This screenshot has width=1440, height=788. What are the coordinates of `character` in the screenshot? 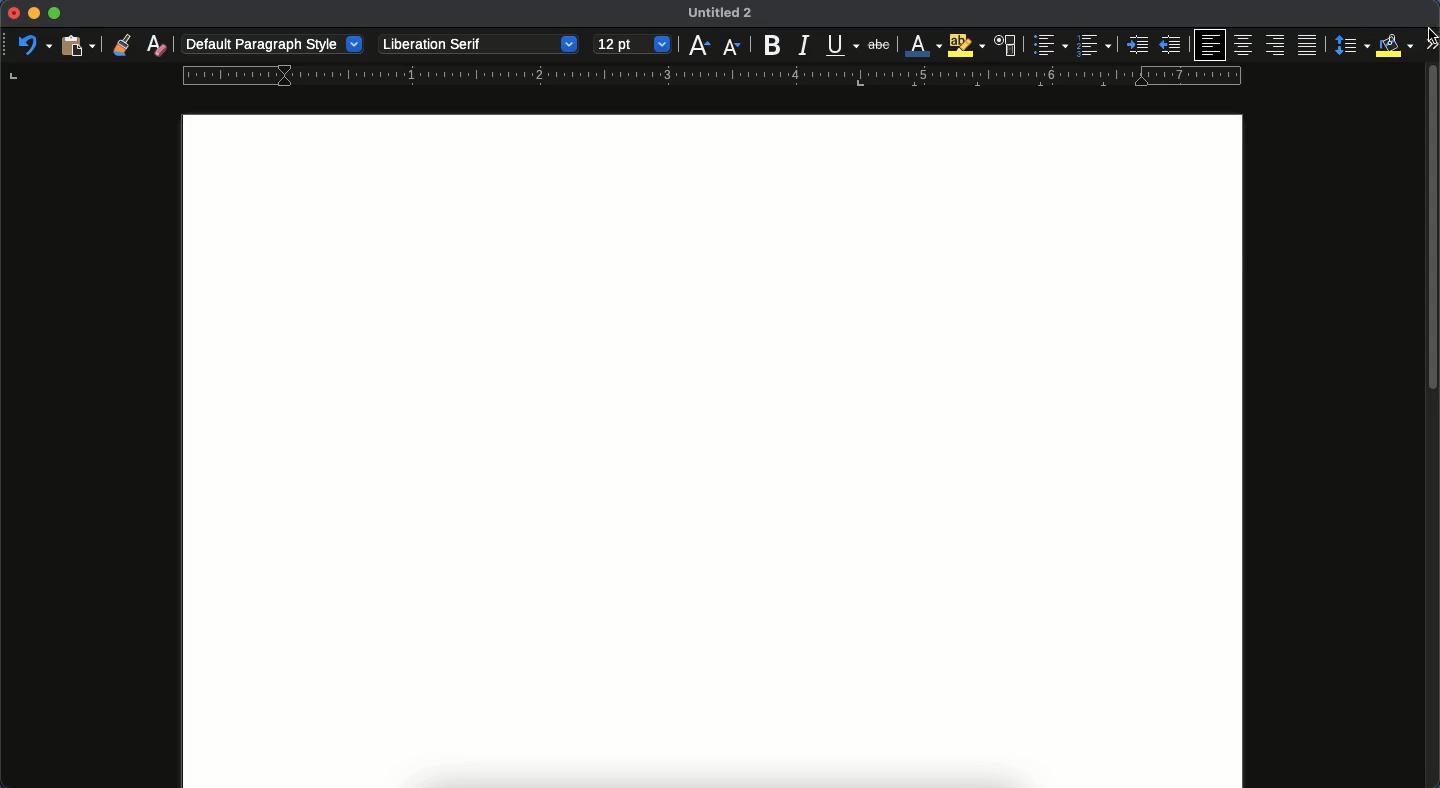 It's located at (1006, 45).